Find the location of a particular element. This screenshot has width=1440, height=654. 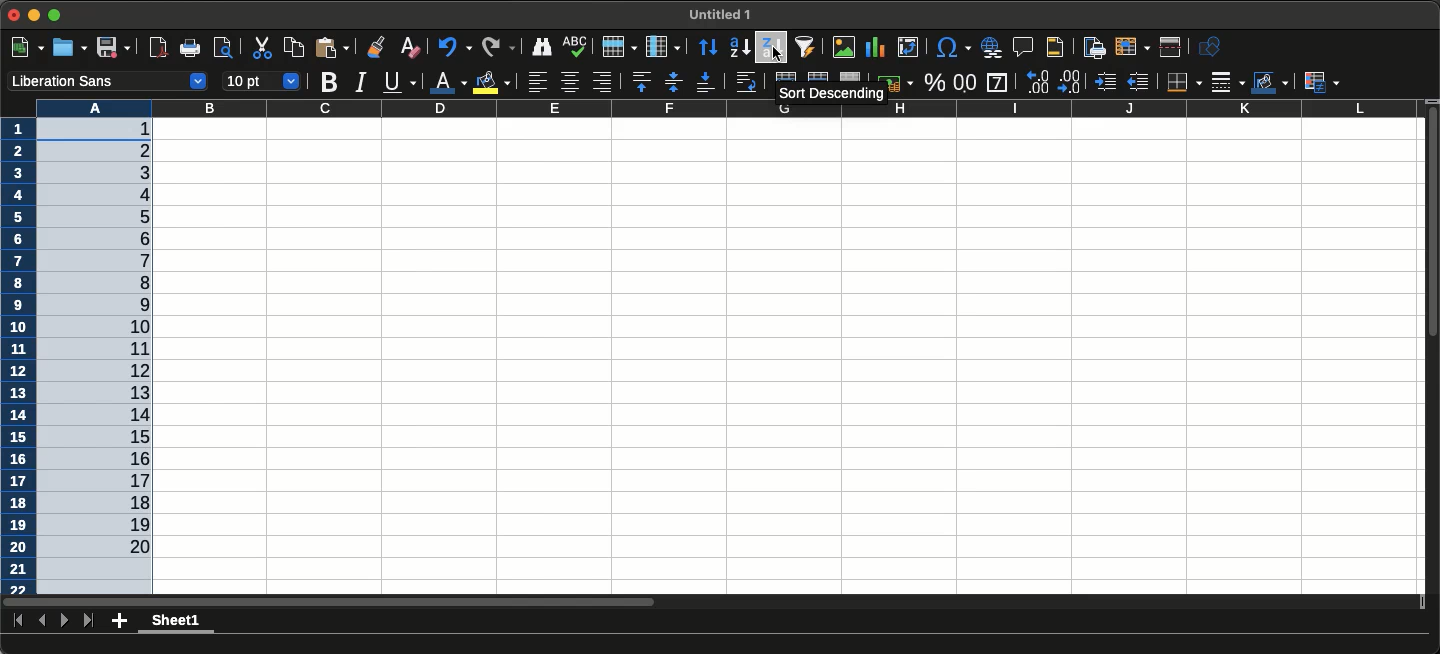

Insert image is located at coordinates (842, 47).